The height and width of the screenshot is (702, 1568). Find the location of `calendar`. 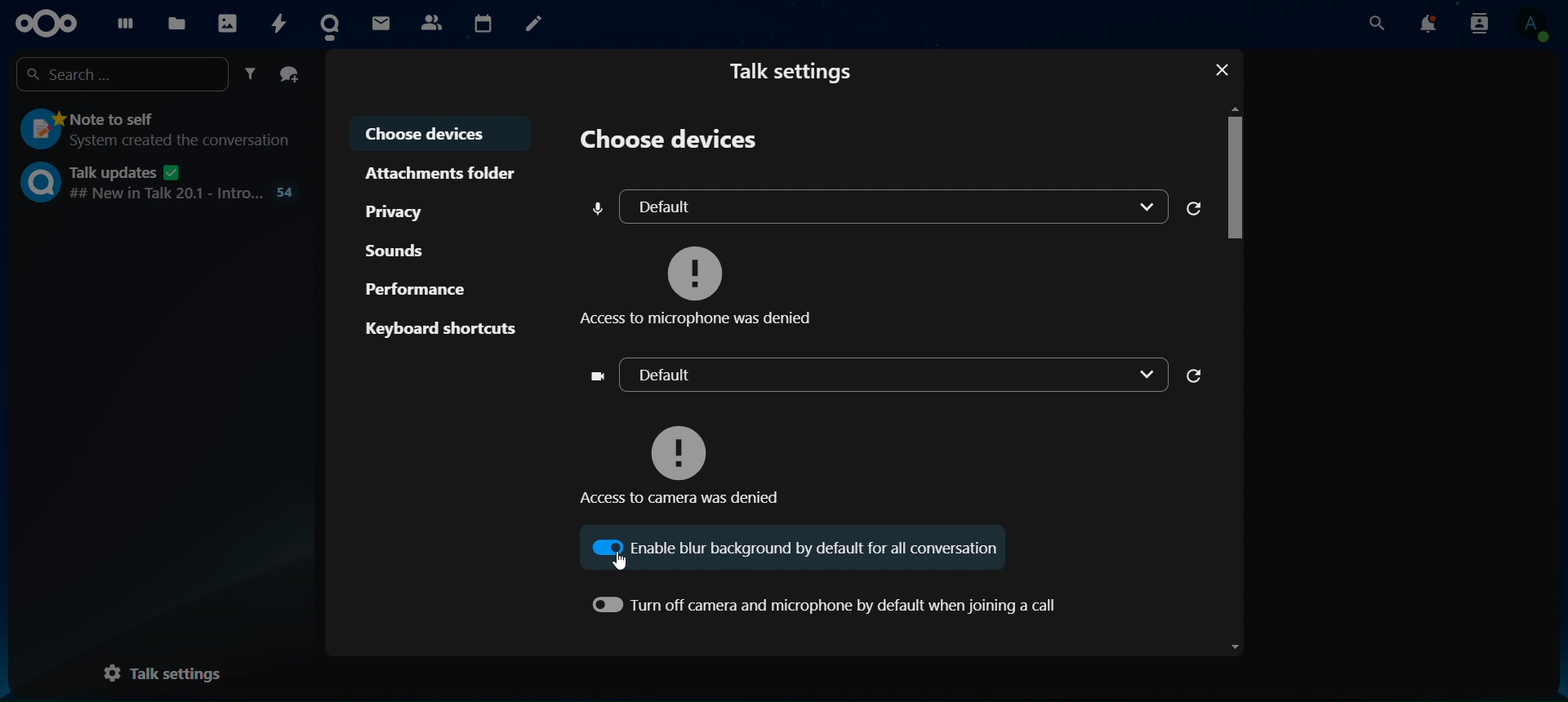

calendar is located at coordinates (482, 20).